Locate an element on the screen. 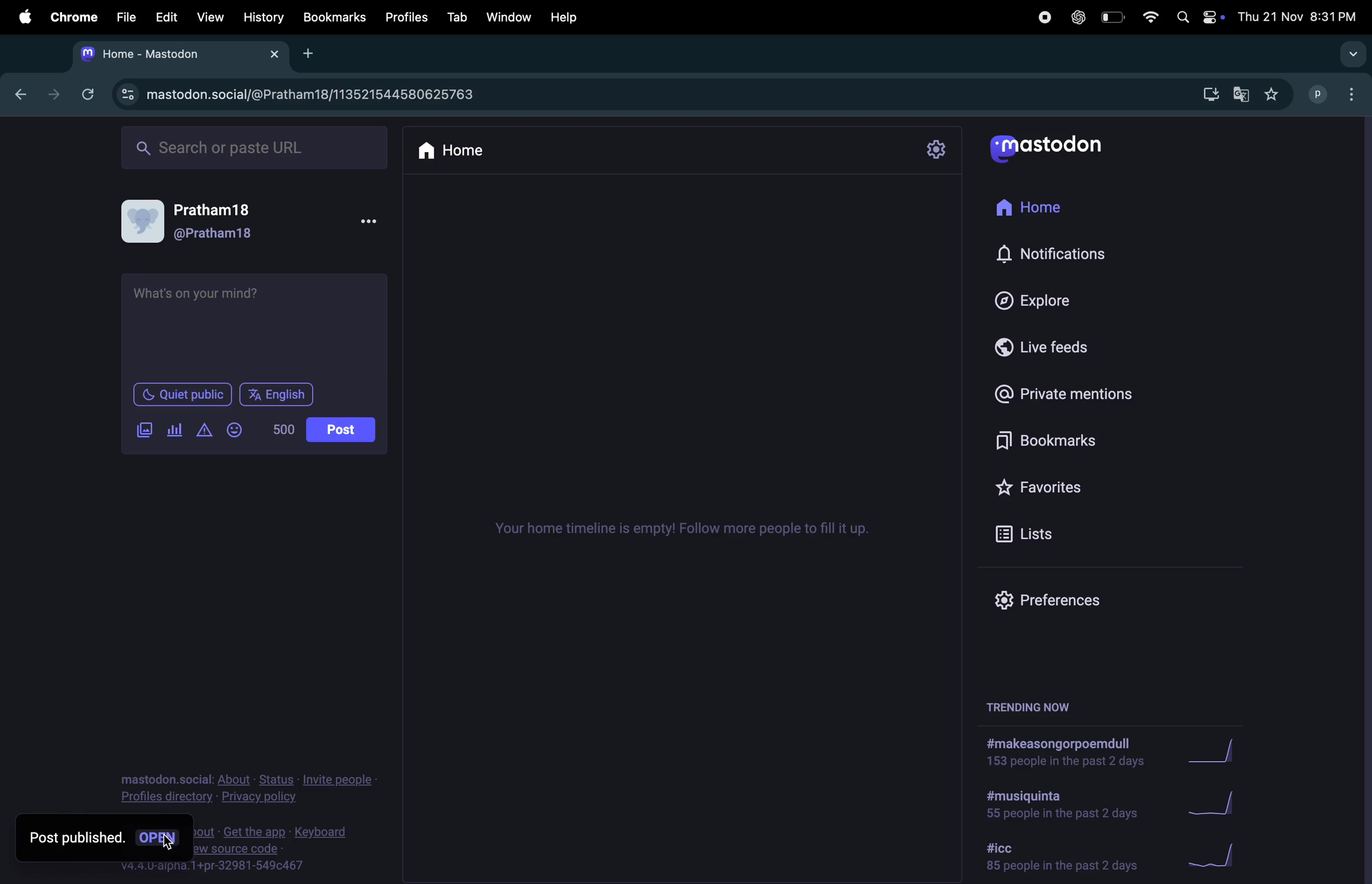  open is located at coordinates (160, 836).